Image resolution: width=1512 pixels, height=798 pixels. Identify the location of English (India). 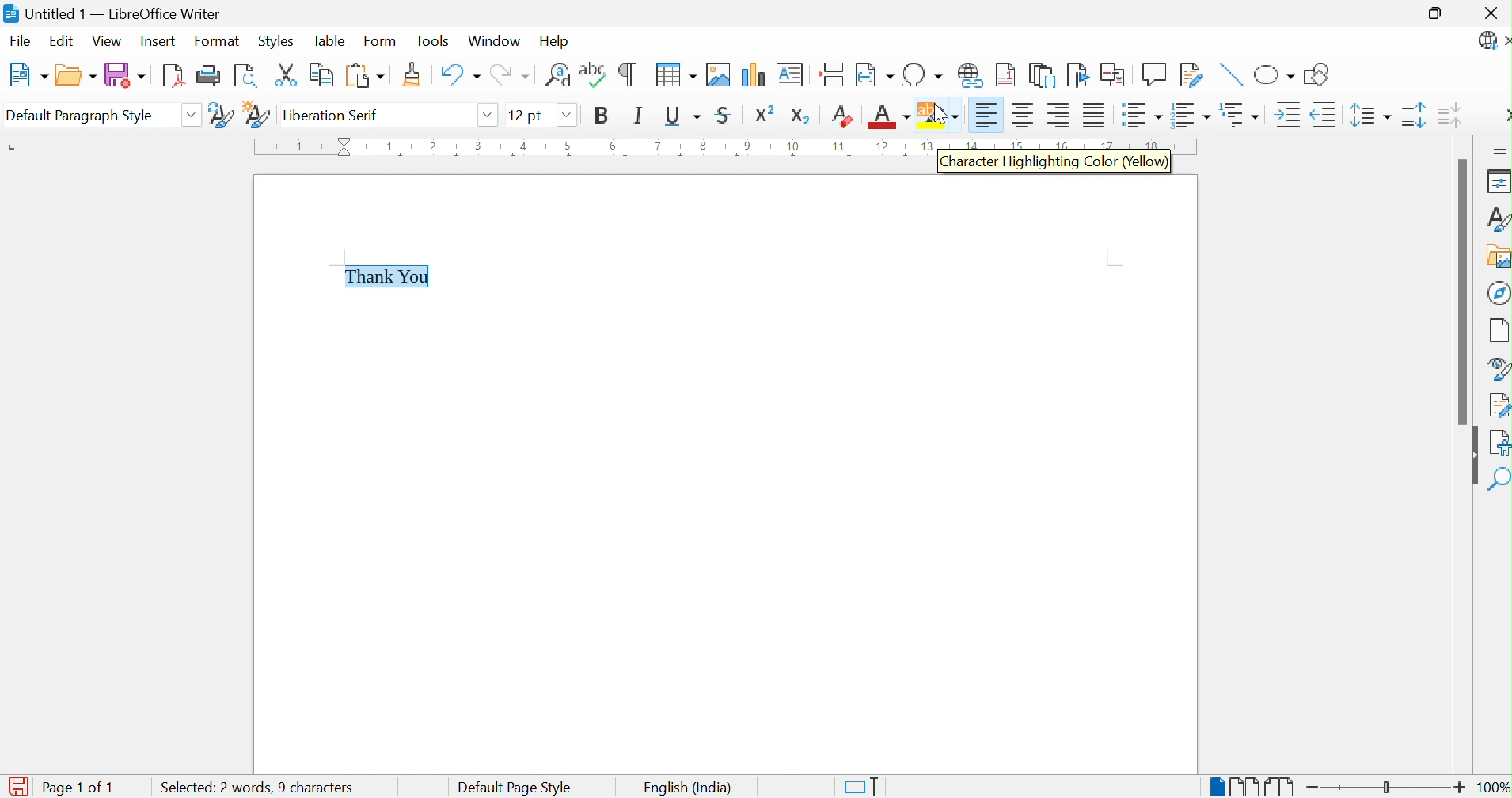
(686, 787).